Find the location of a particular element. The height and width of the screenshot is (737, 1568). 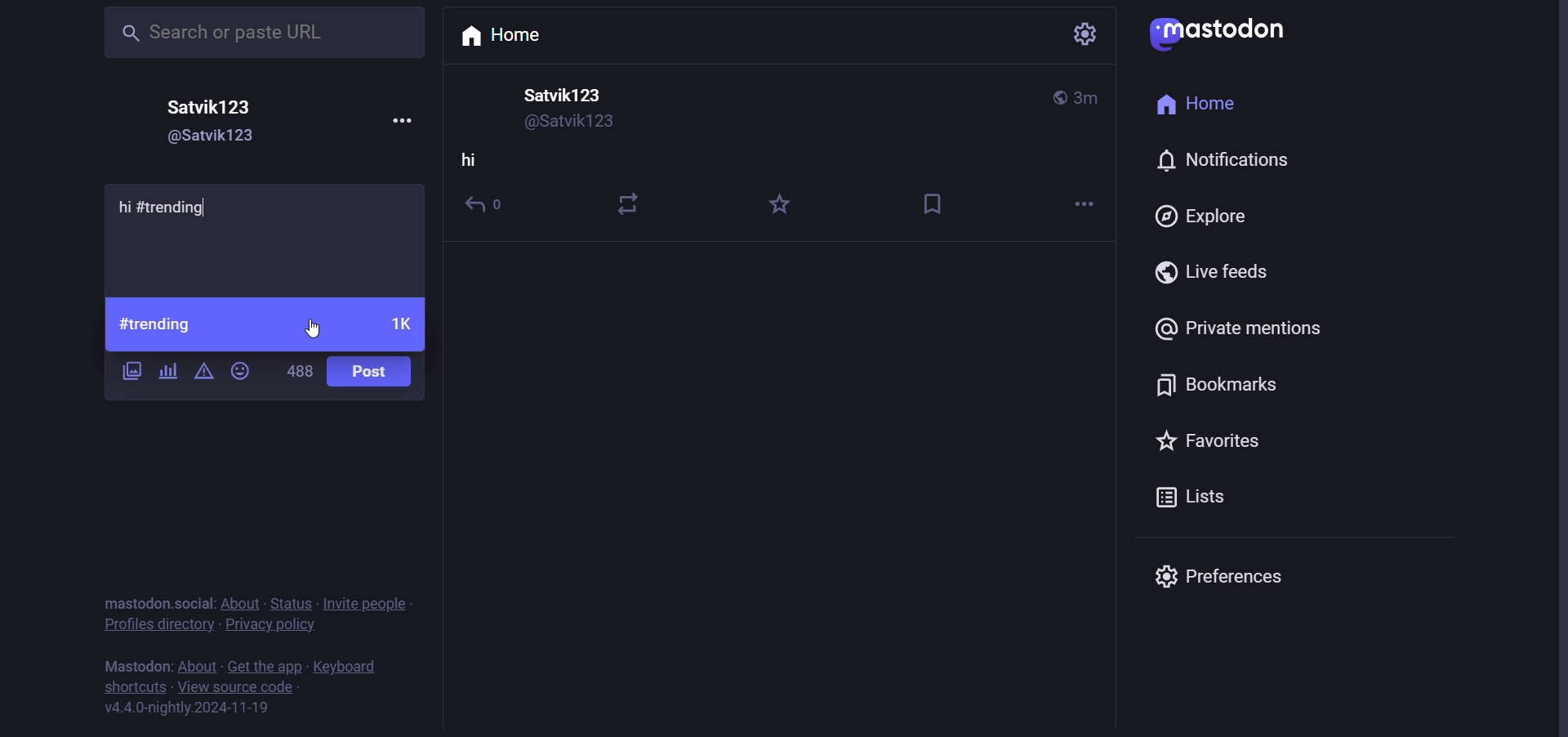

shortcut is located at coordinates (137, 689).